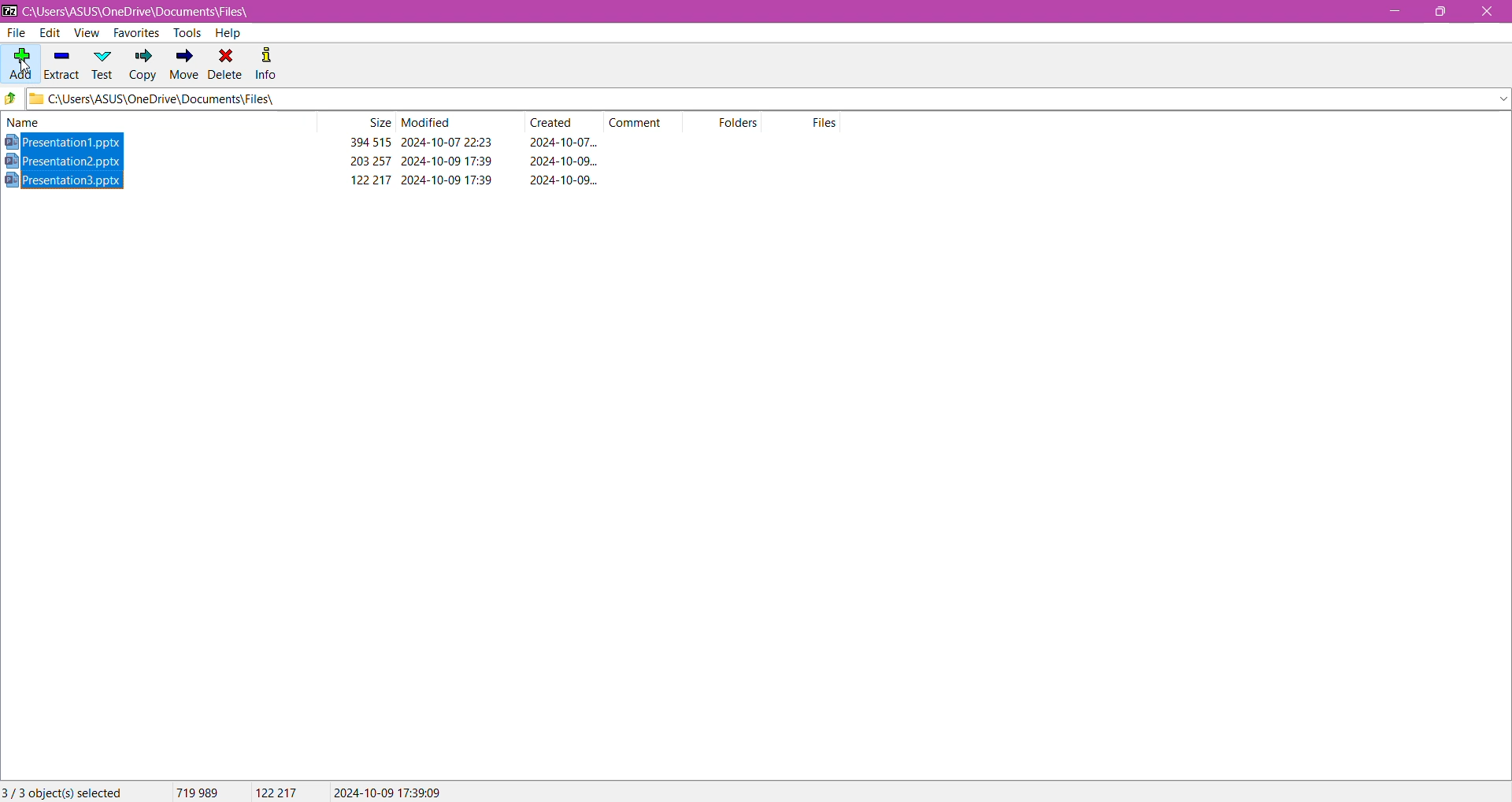 The height and width of the screenshot is (802, 1512). Describe the element at coordinates (1393, 12) in the screenshot. I see `Minimize` at that location.